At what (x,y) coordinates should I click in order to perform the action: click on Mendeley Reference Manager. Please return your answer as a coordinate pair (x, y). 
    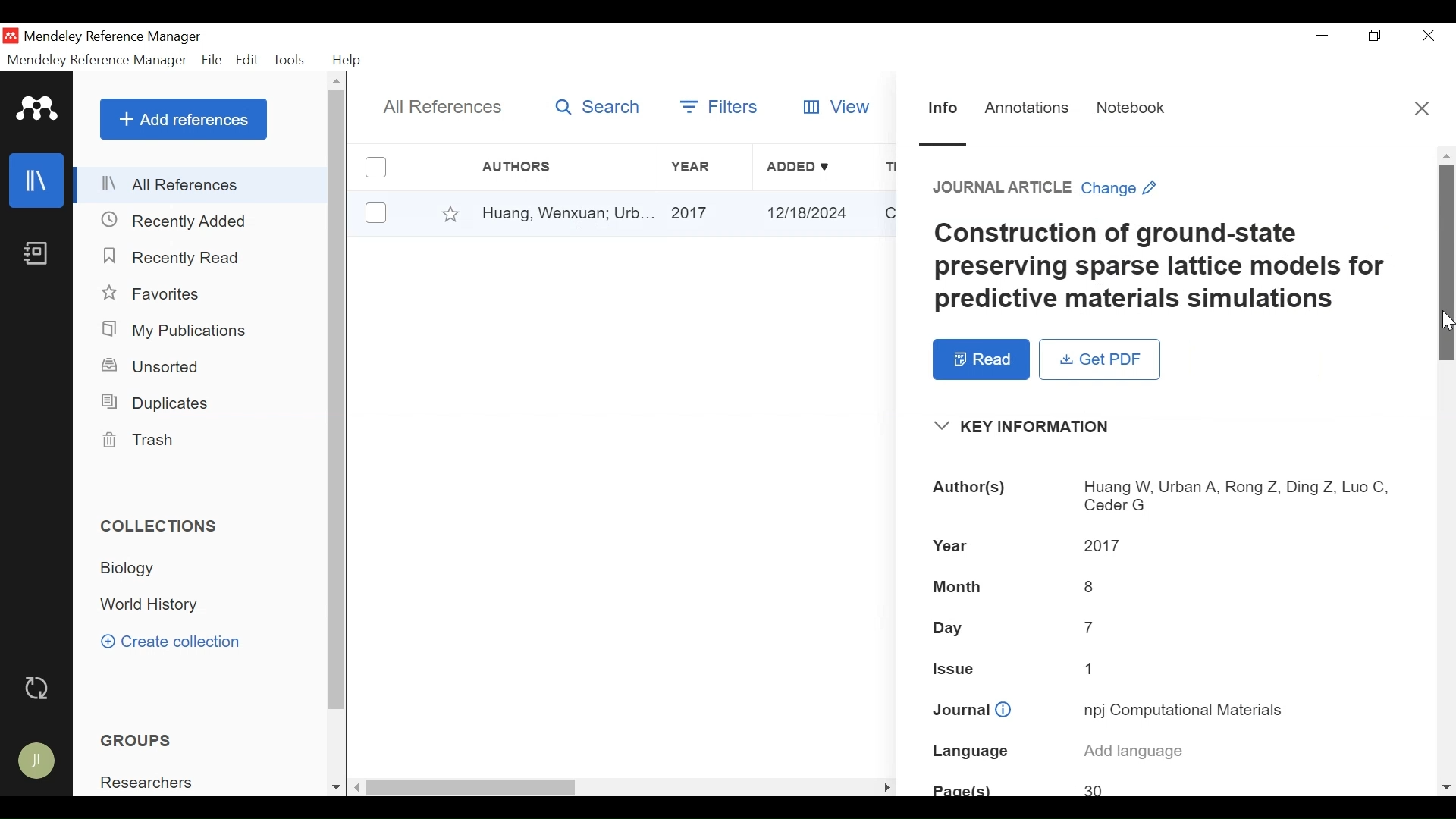
    Looking at the image, I should click on (118, 37).